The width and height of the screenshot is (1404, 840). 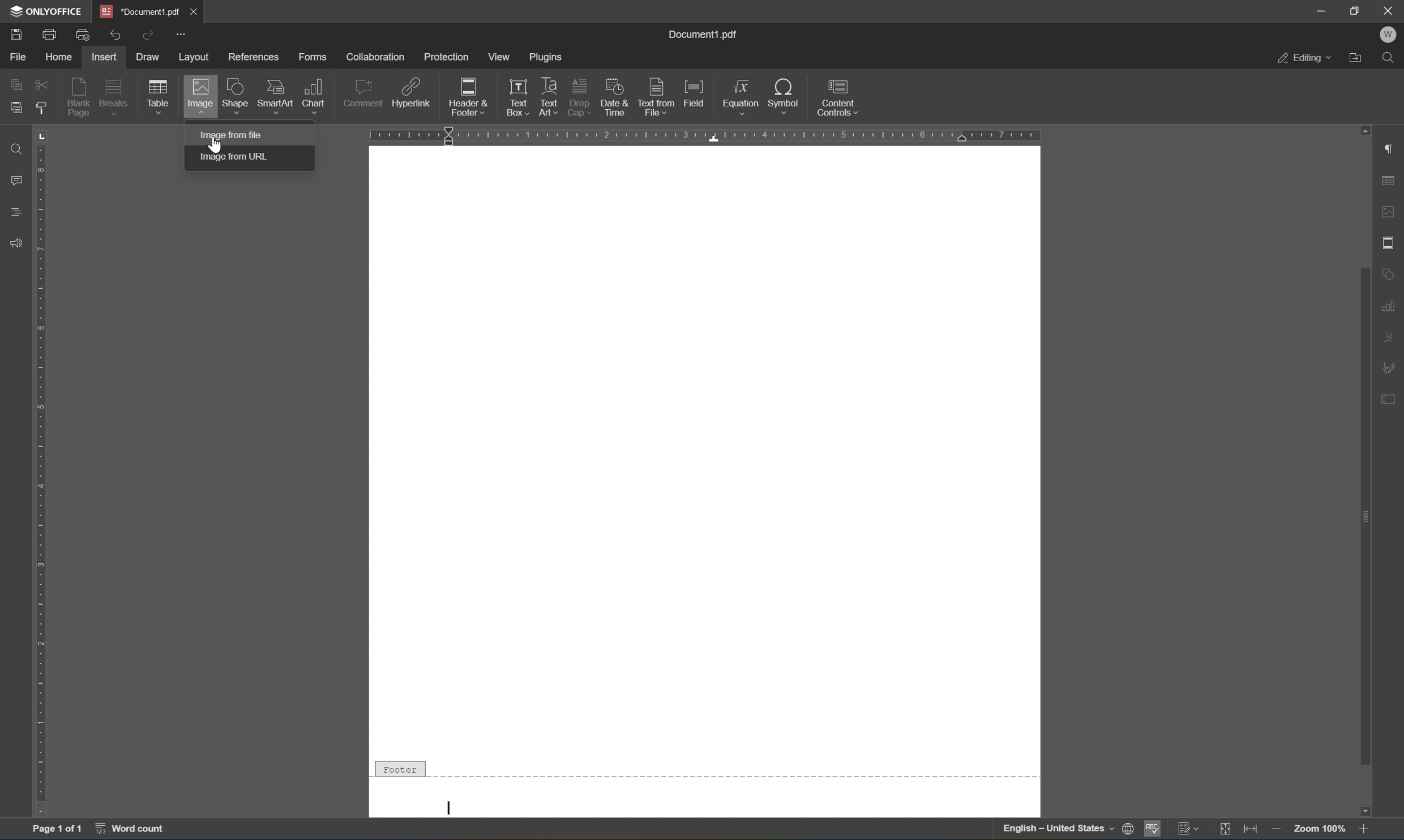 What do you see at coordinates (59, 826) in the screenshot?
I see `page 1 of 1` at bounding box center [59, 826].